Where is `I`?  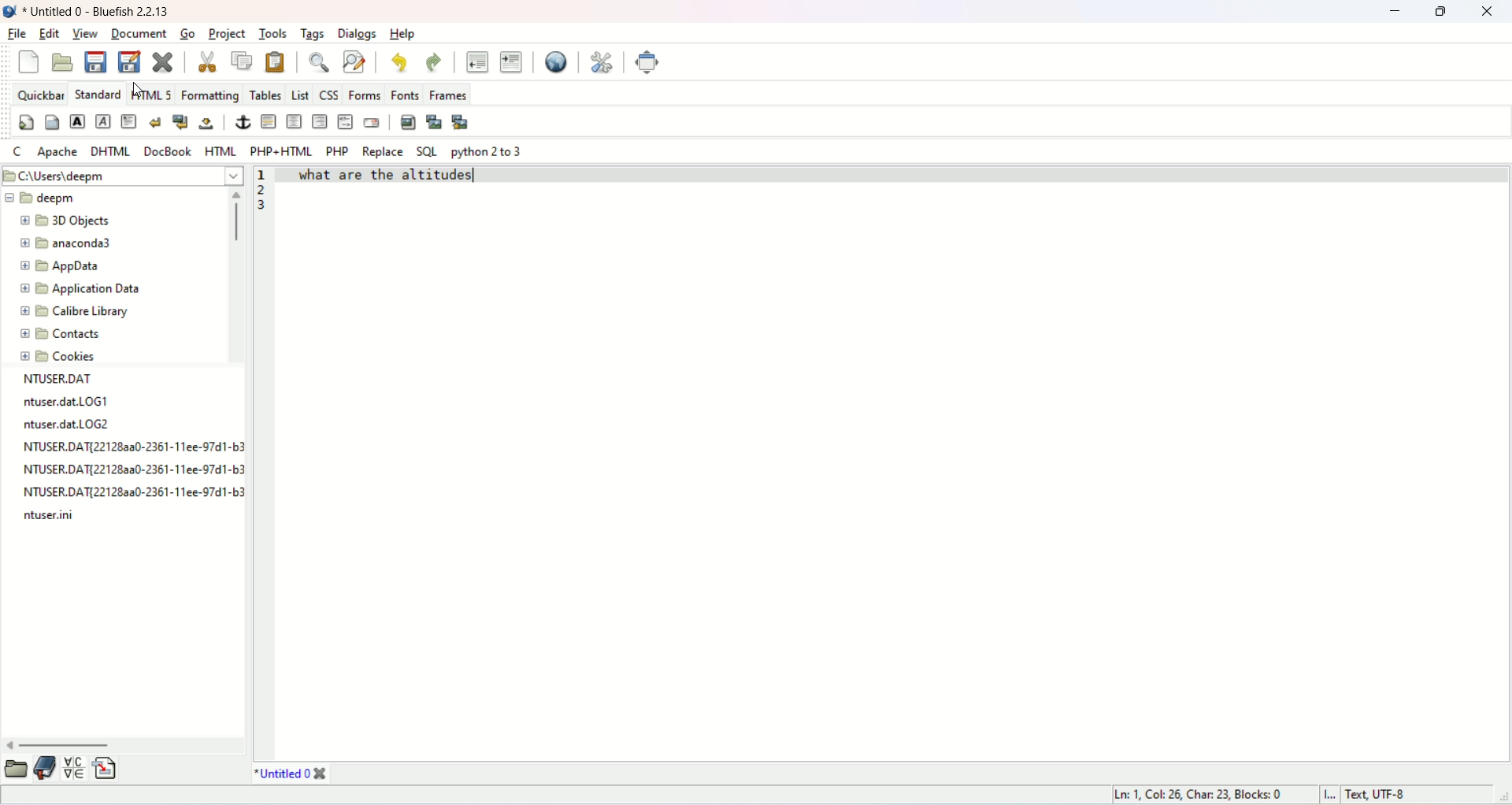 I is located at coordinates (1333, 795).